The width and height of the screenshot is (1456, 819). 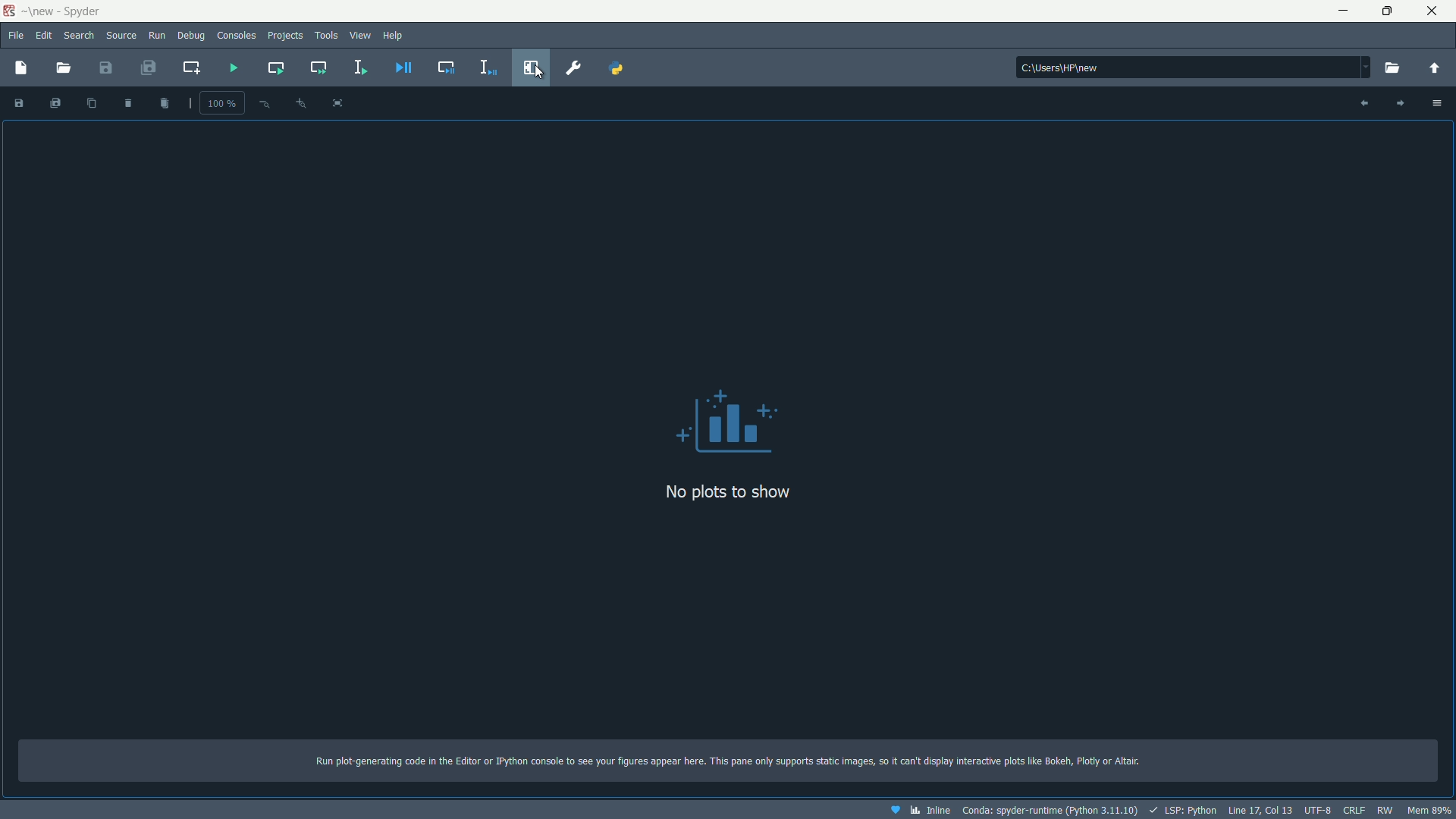 I want to click on file eol status, so click(x=1354, y=811).